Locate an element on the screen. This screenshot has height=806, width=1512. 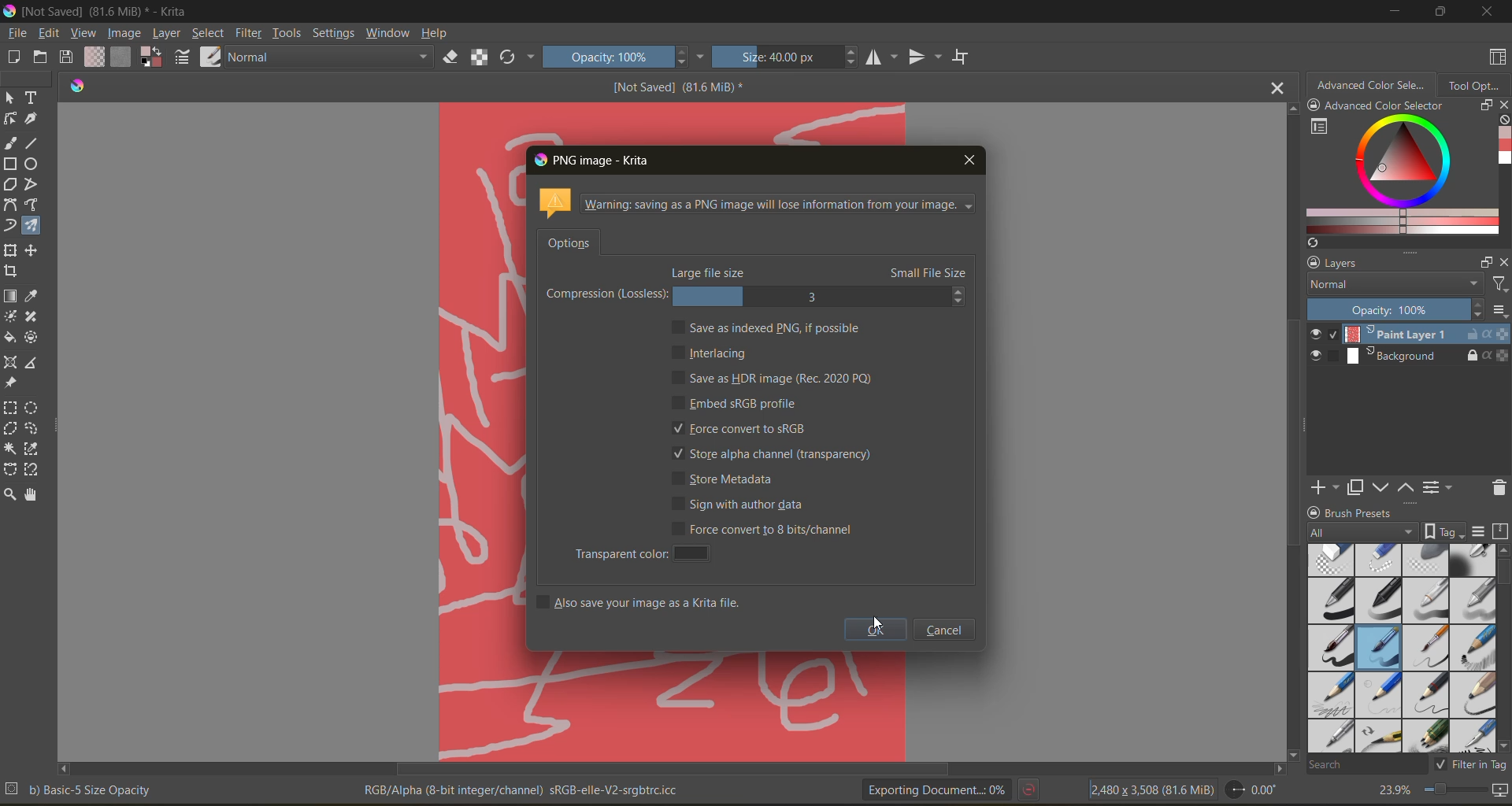
tool is located at coordinates (11, 98).